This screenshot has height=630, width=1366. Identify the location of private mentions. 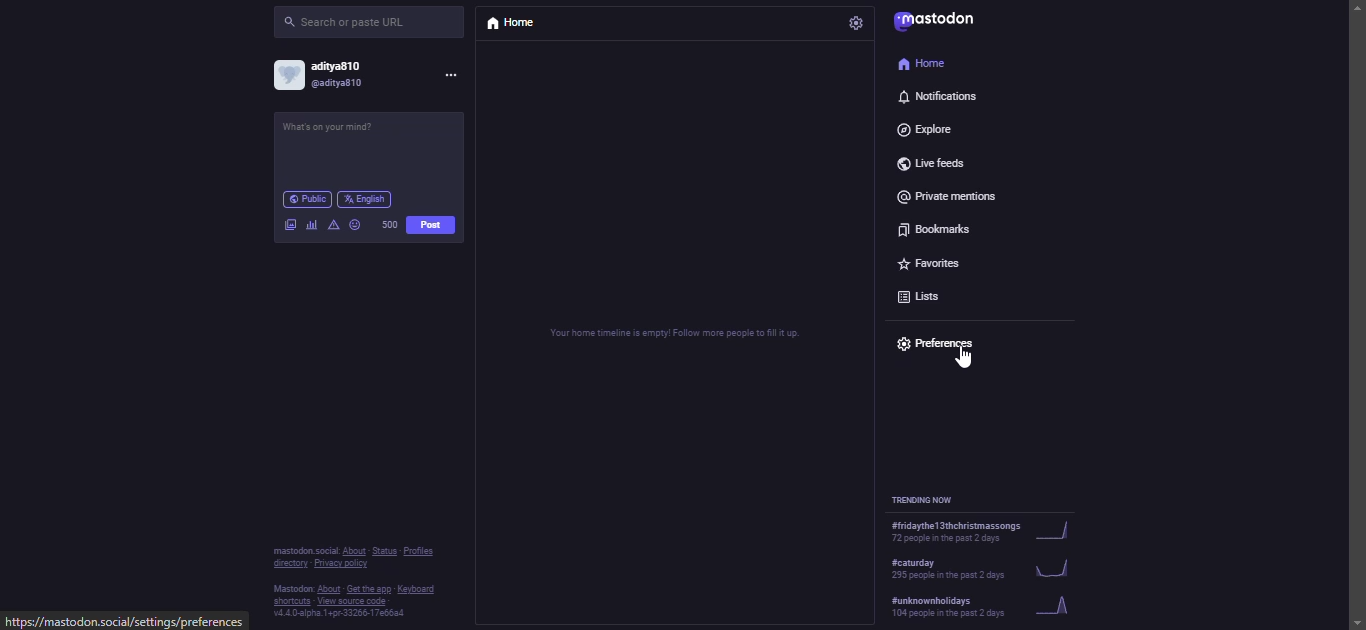
(953, 193).